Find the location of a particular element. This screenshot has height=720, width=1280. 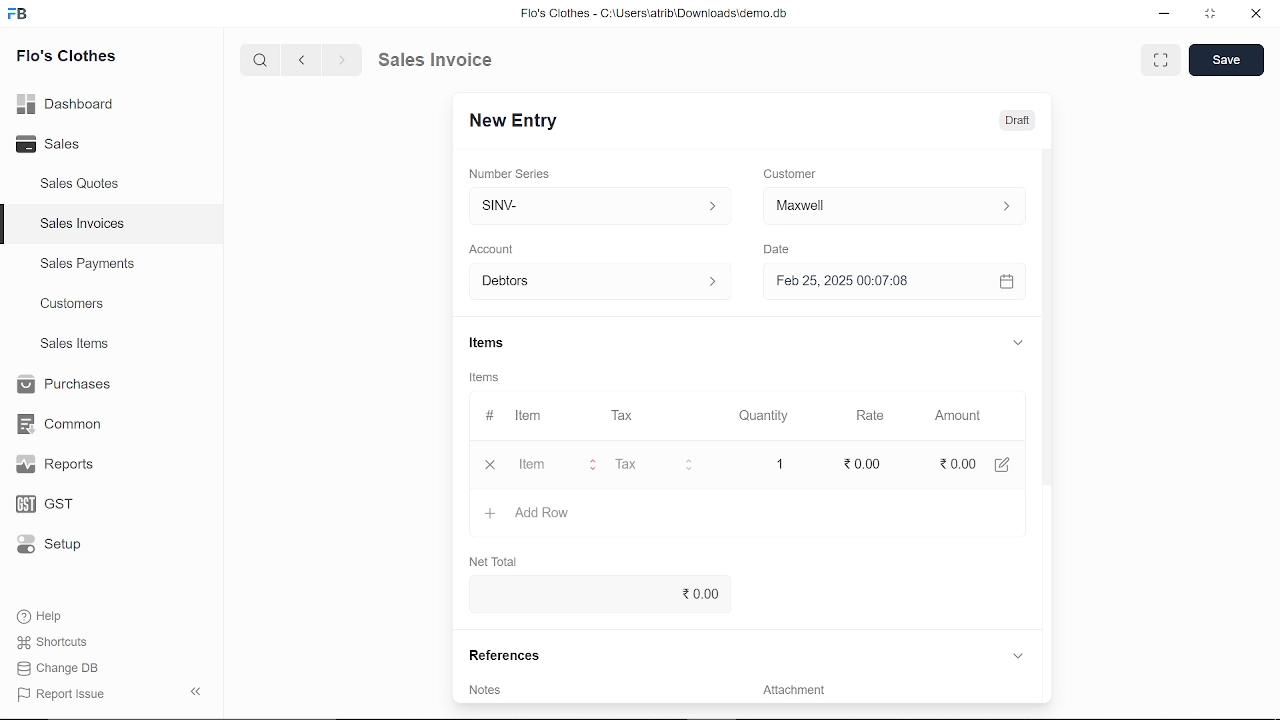

Rate is located at coordinates (850, 416).